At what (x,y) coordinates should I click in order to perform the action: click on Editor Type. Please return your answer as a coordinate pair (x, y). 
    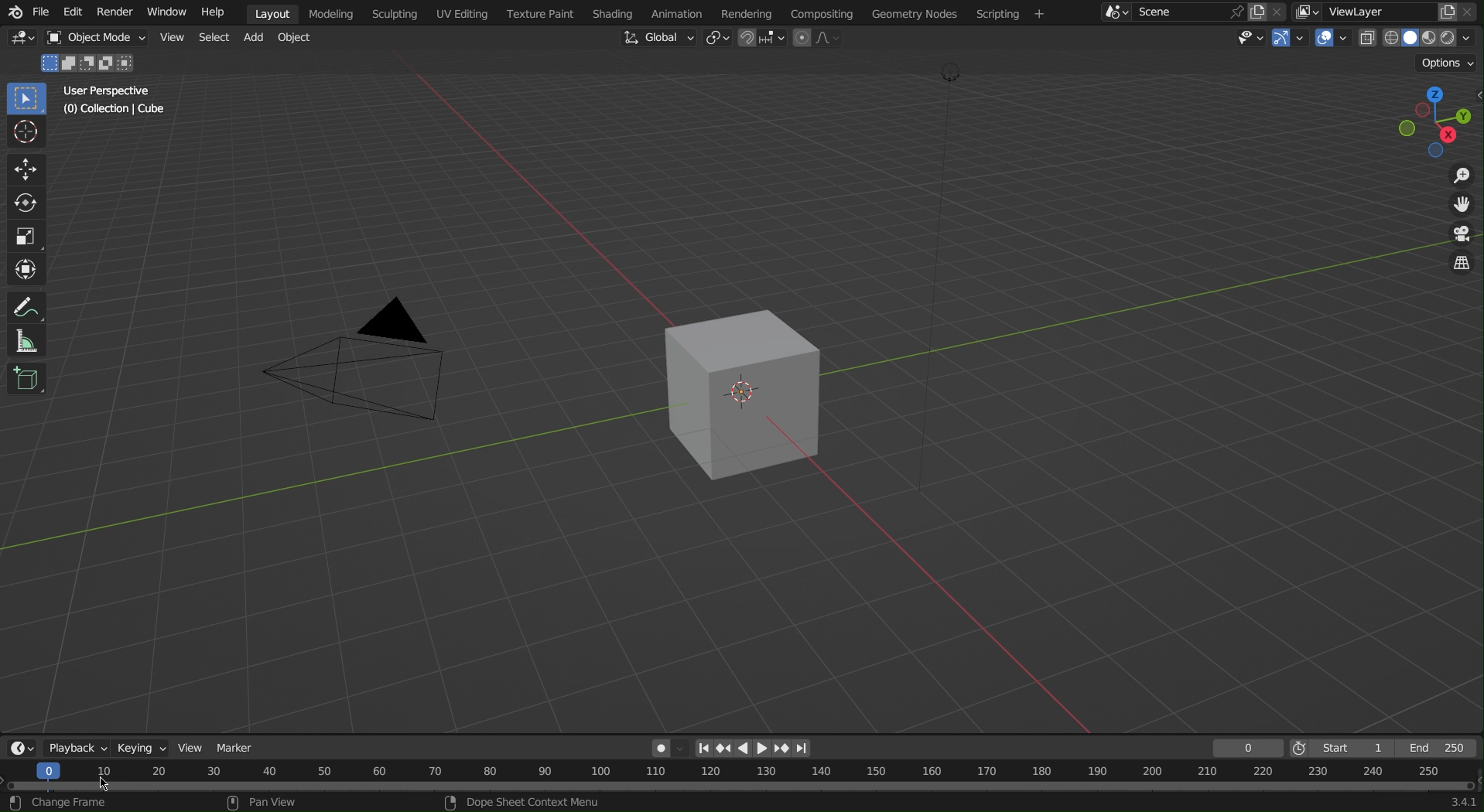
    Looking at the image, I should click on (19, 749).